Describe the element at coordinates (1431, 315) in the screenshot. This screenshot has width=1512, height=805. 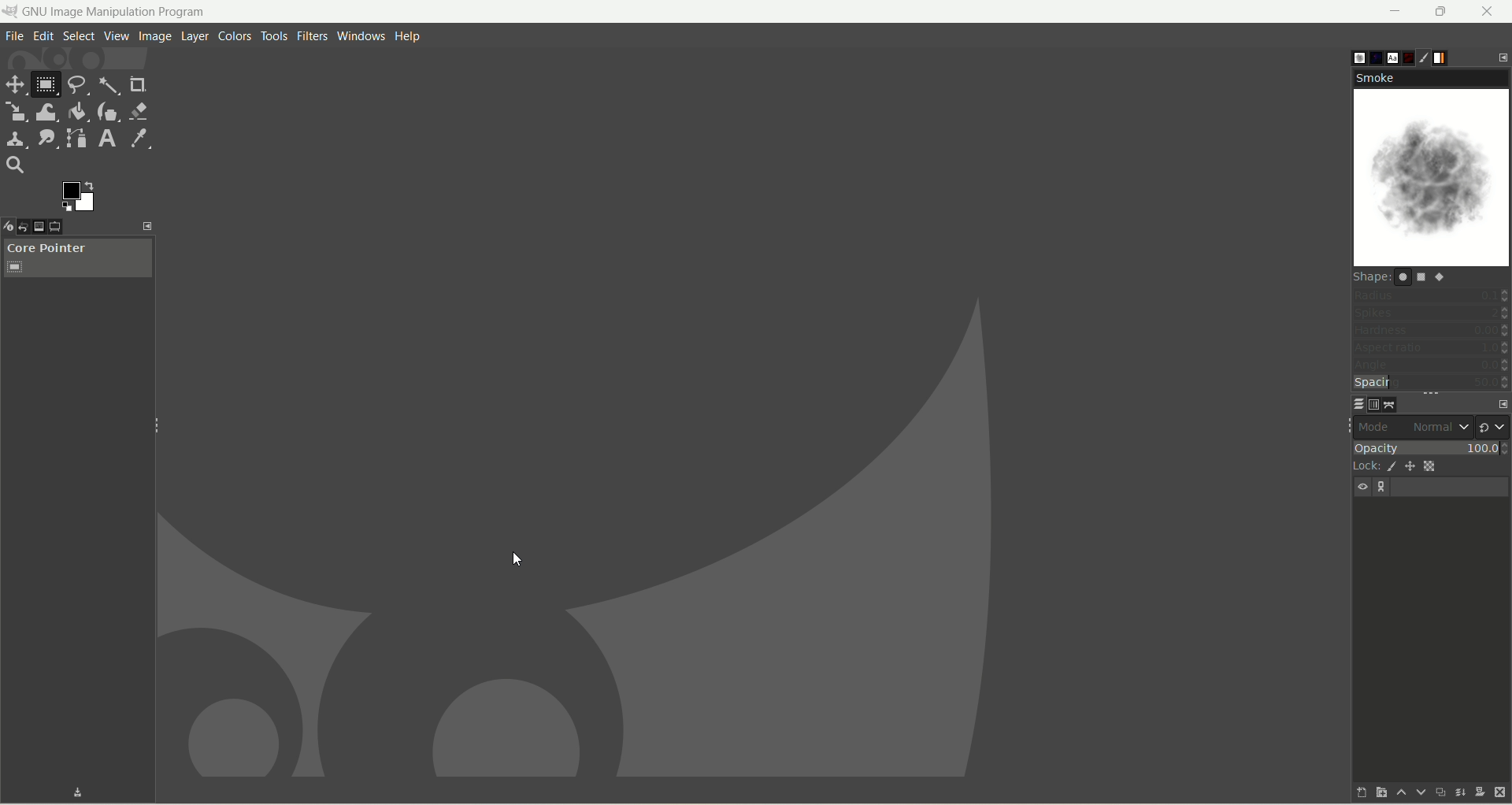
I see `spikes` at that location.